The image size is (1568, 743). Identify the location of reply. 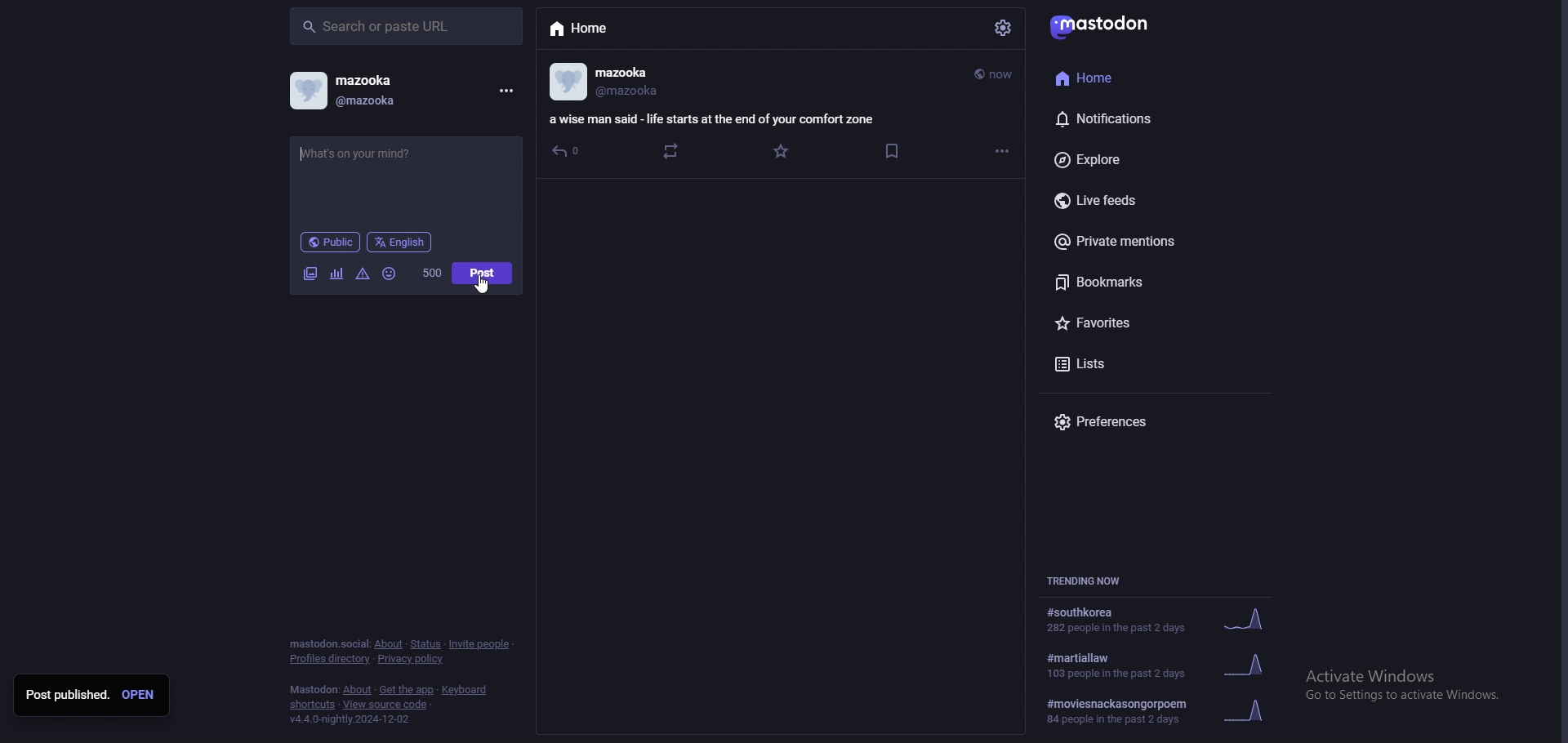
(568, 149).